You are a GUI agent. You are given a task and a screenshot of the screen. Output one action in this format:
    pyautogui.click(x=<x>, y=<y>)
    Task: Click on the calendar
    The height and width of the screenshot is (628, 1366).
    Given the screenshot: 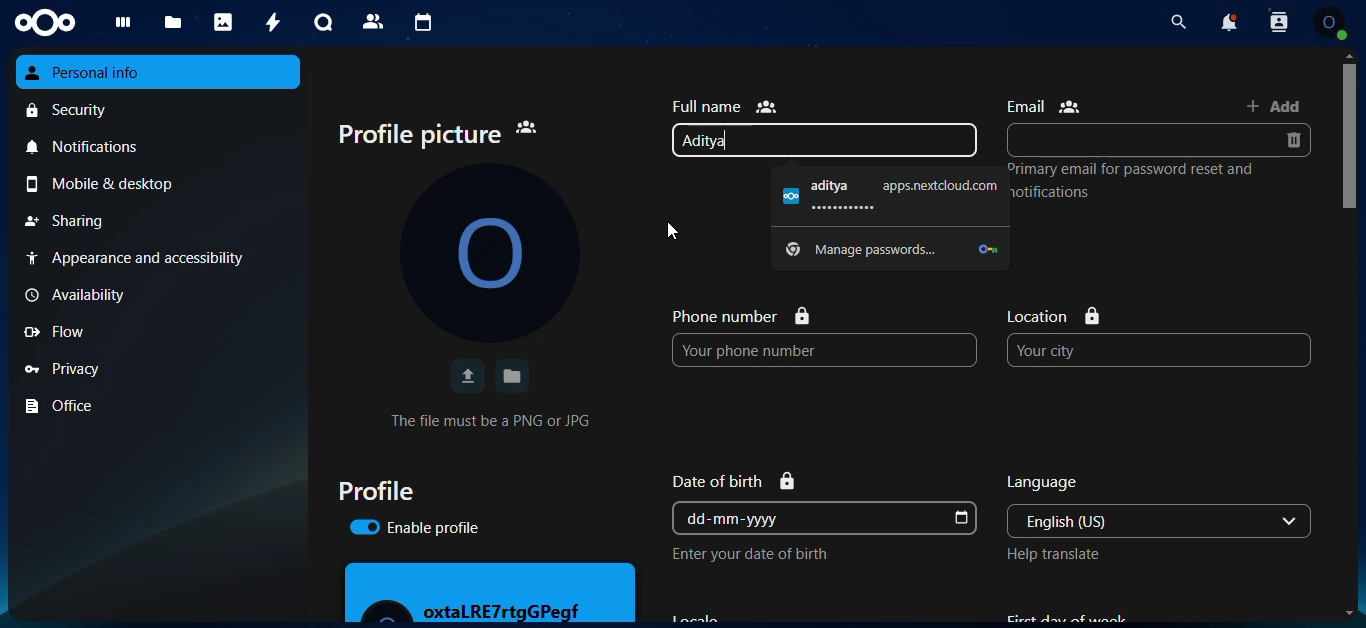 What is the action you would take?
    pyautogui.click(x=419, y=22)
    